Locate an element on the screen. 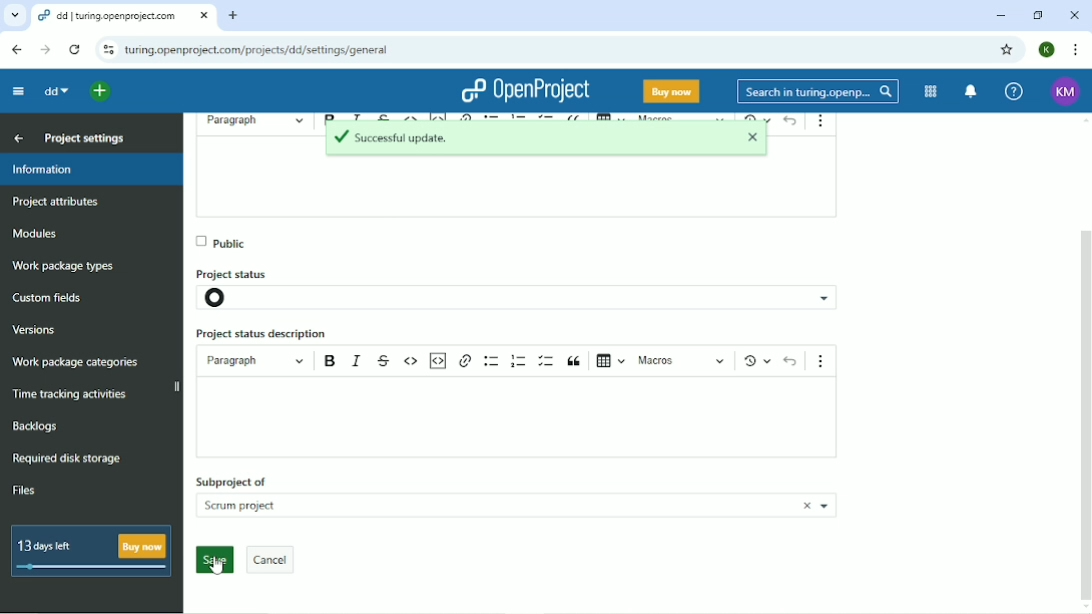 This screenshot has height=614, width=1092. Modules is located at coordinates (33, 233).